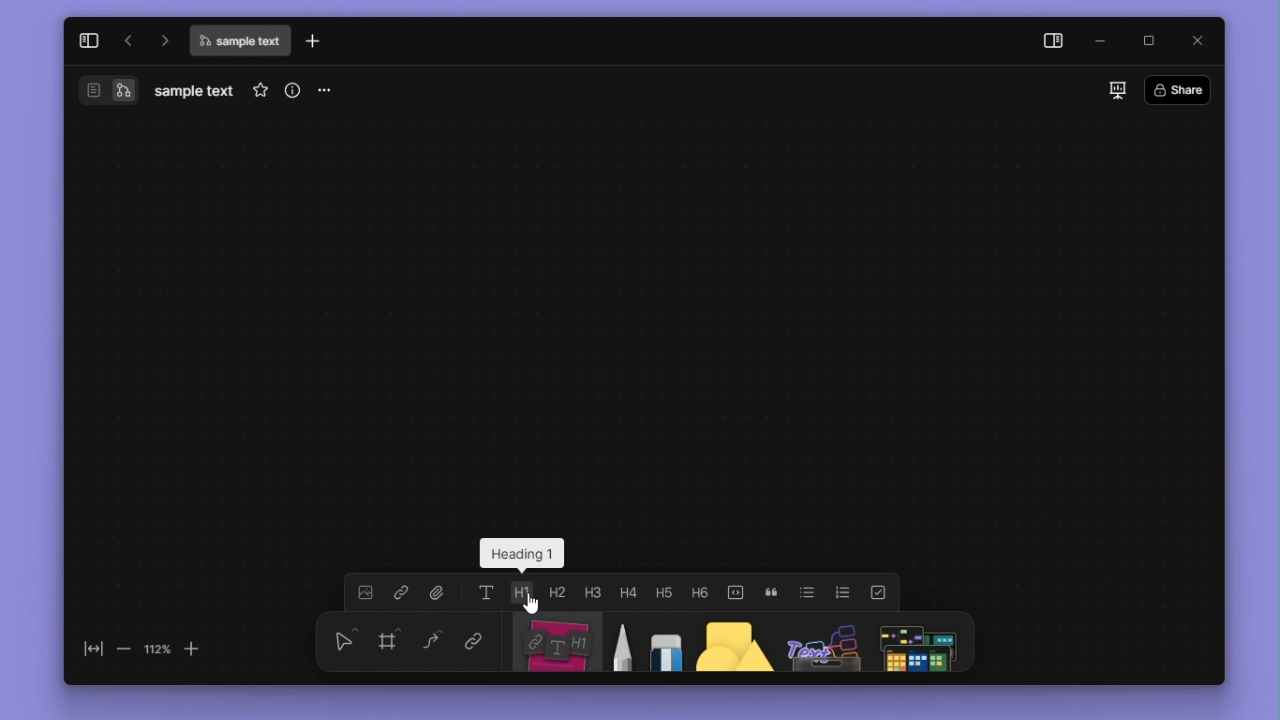  What do you see at coordinates (94, 90) in the screenshot?
I see `switch` at bounding box center [94, 90].